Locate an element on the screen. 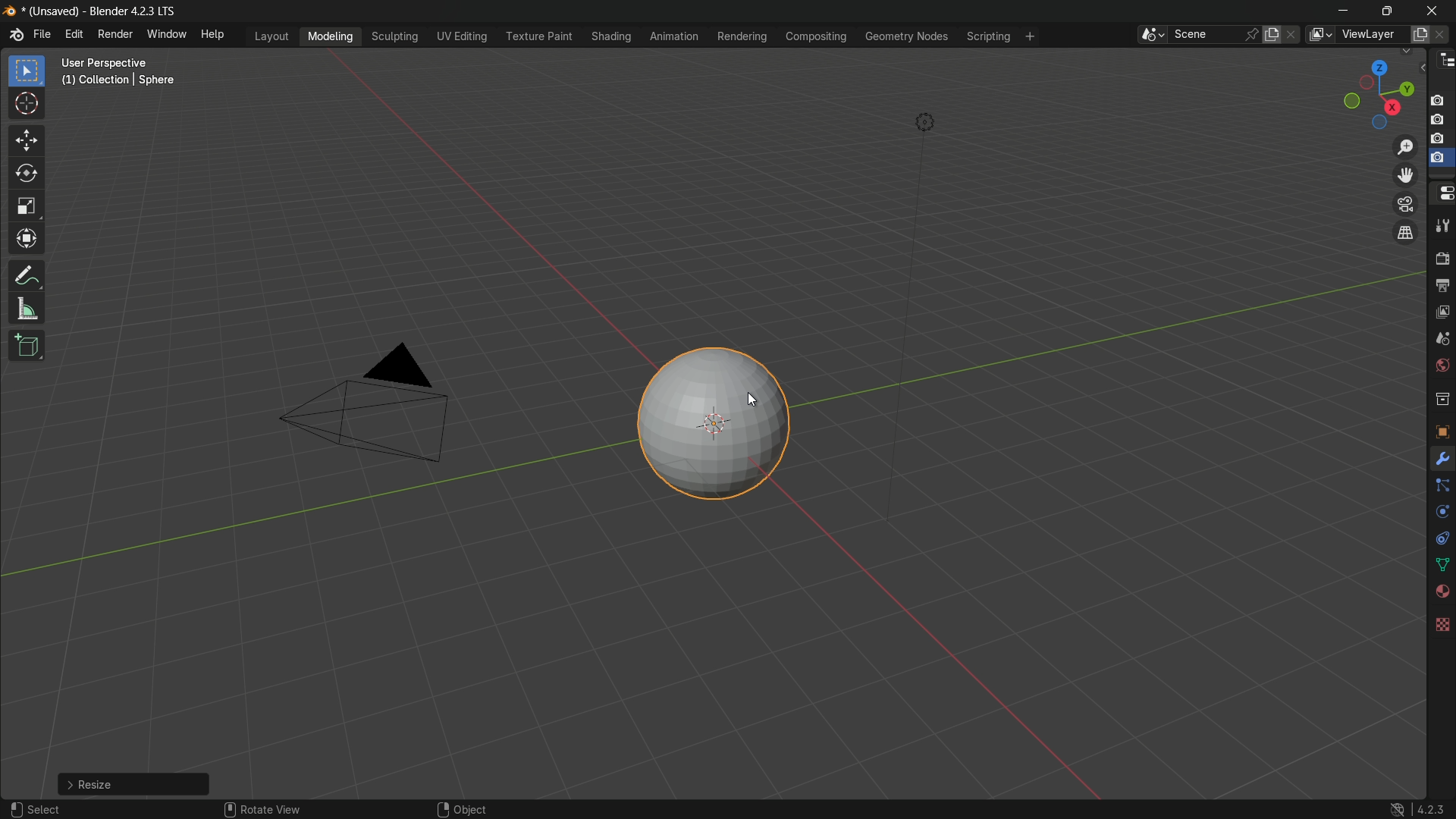 This screenshot has width=1456, height=819. modeling menu is located at coordinates (331, 37).